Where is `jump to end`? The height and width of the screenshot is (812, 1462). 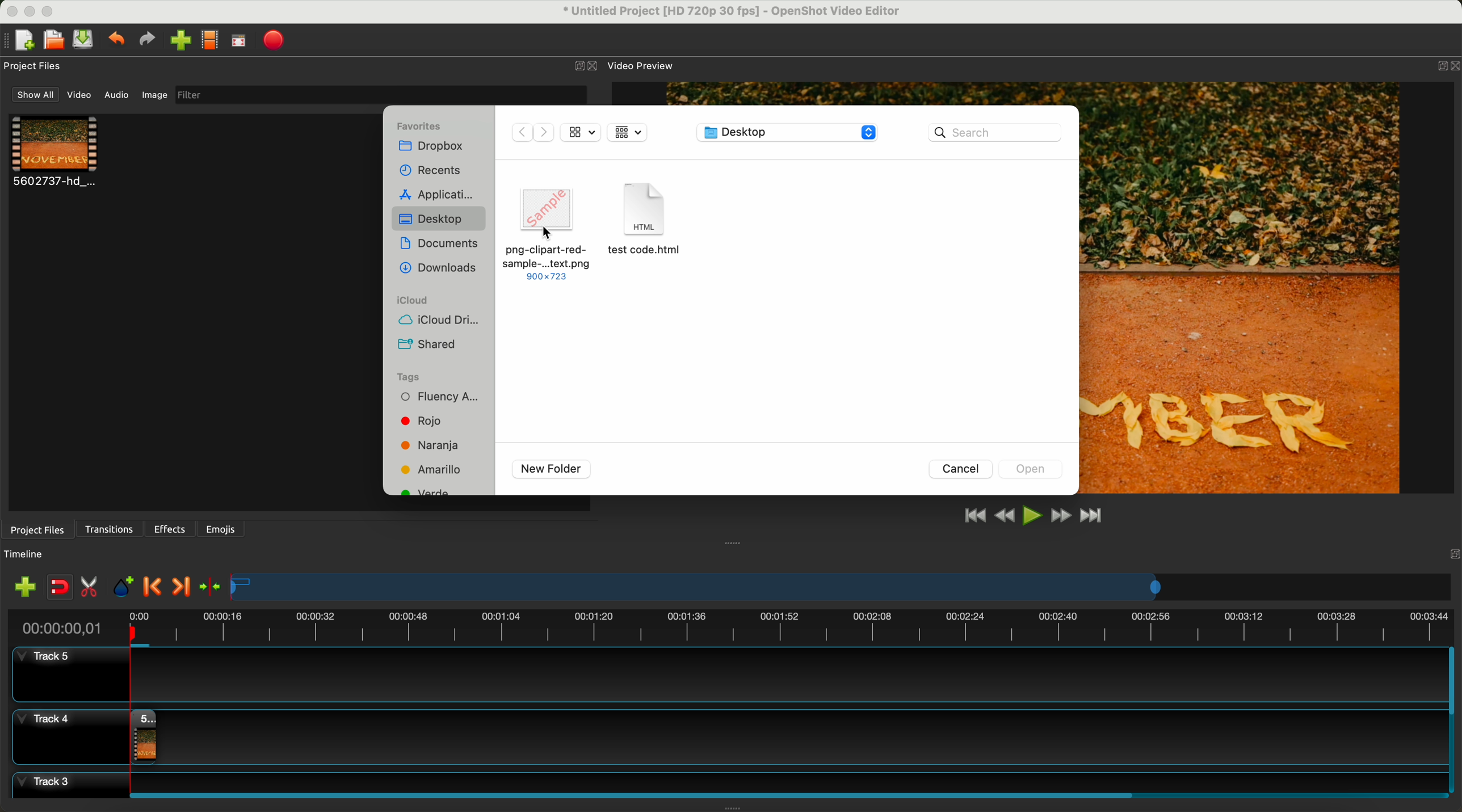
jump to end is located at coordinates (1093, 517).